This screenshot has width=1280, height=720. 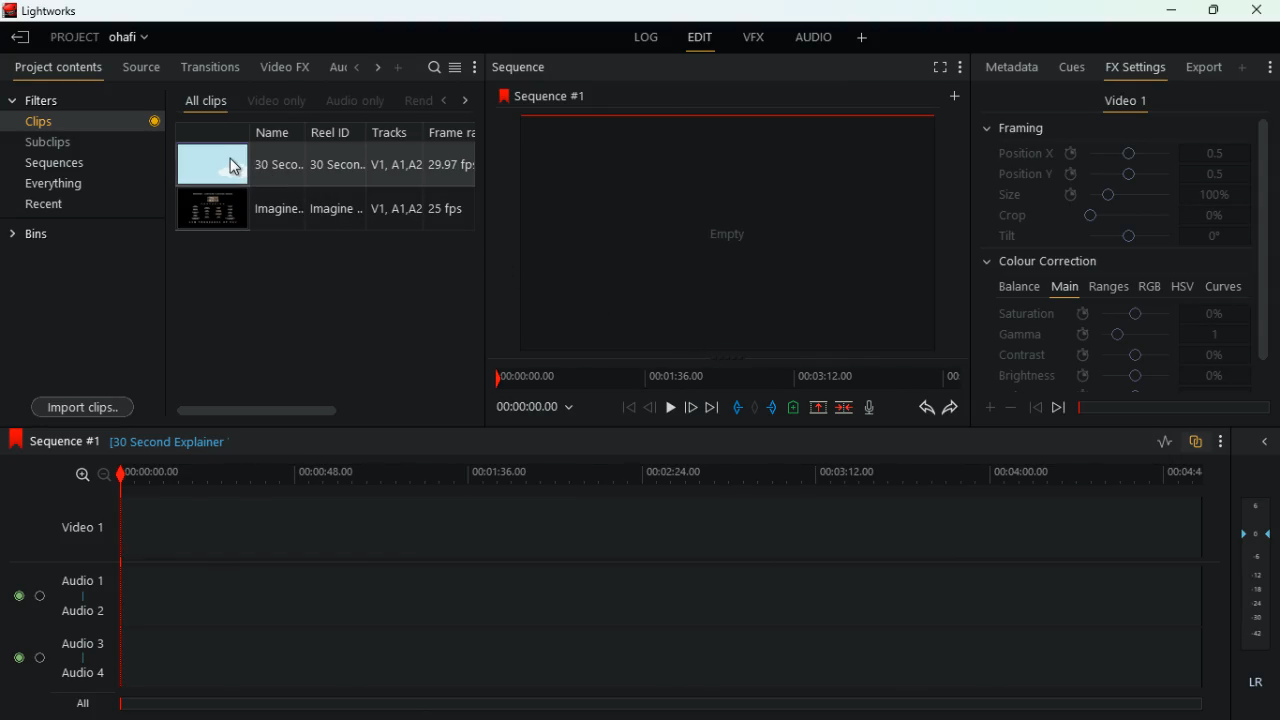 What do you see at coordinates (521, 67) in the screenshot?
I see `sequence` at bounding box center [521, 67].